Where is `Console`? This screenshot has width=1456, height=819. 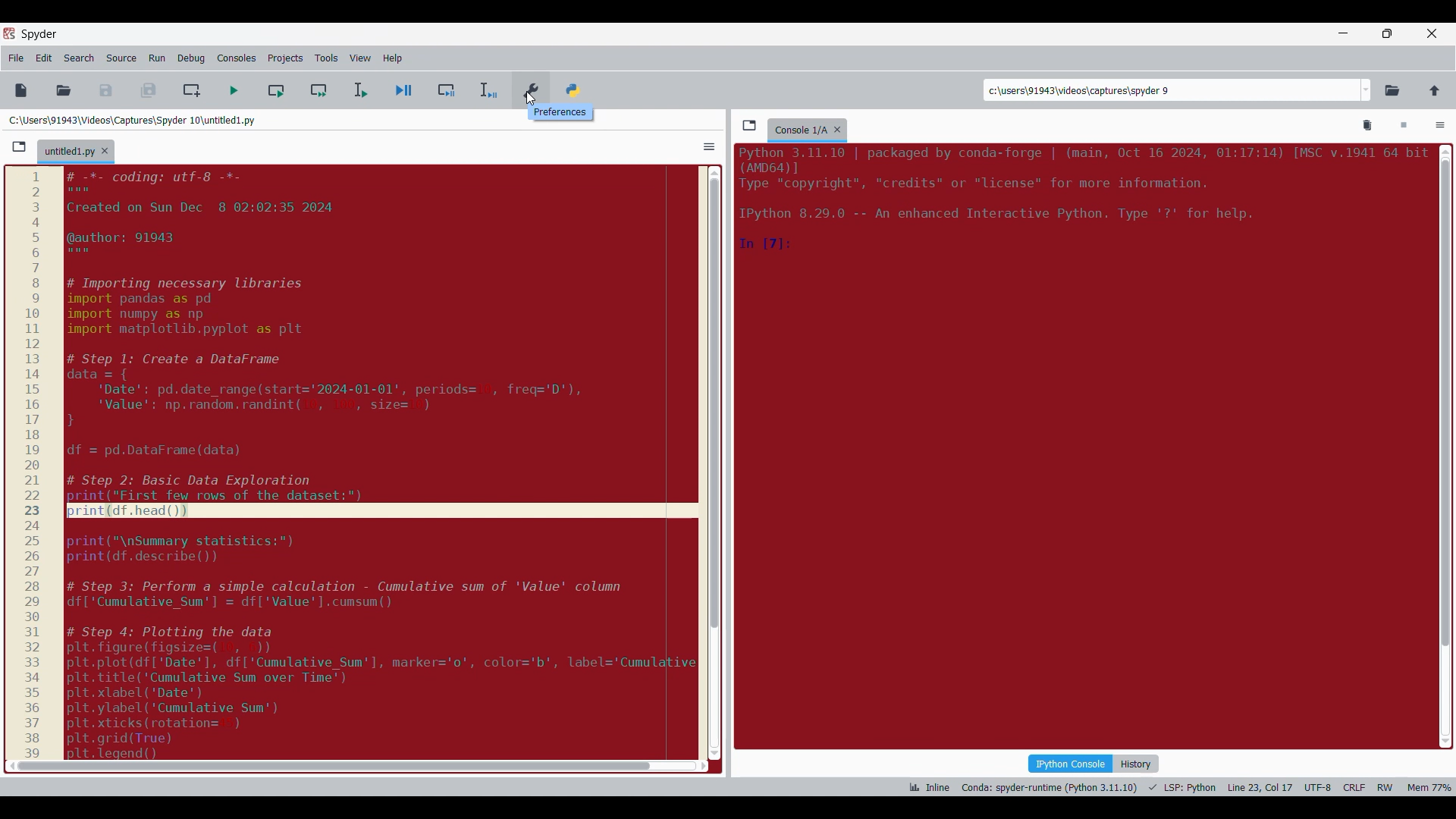 Console is located at coordinates (799, 130).